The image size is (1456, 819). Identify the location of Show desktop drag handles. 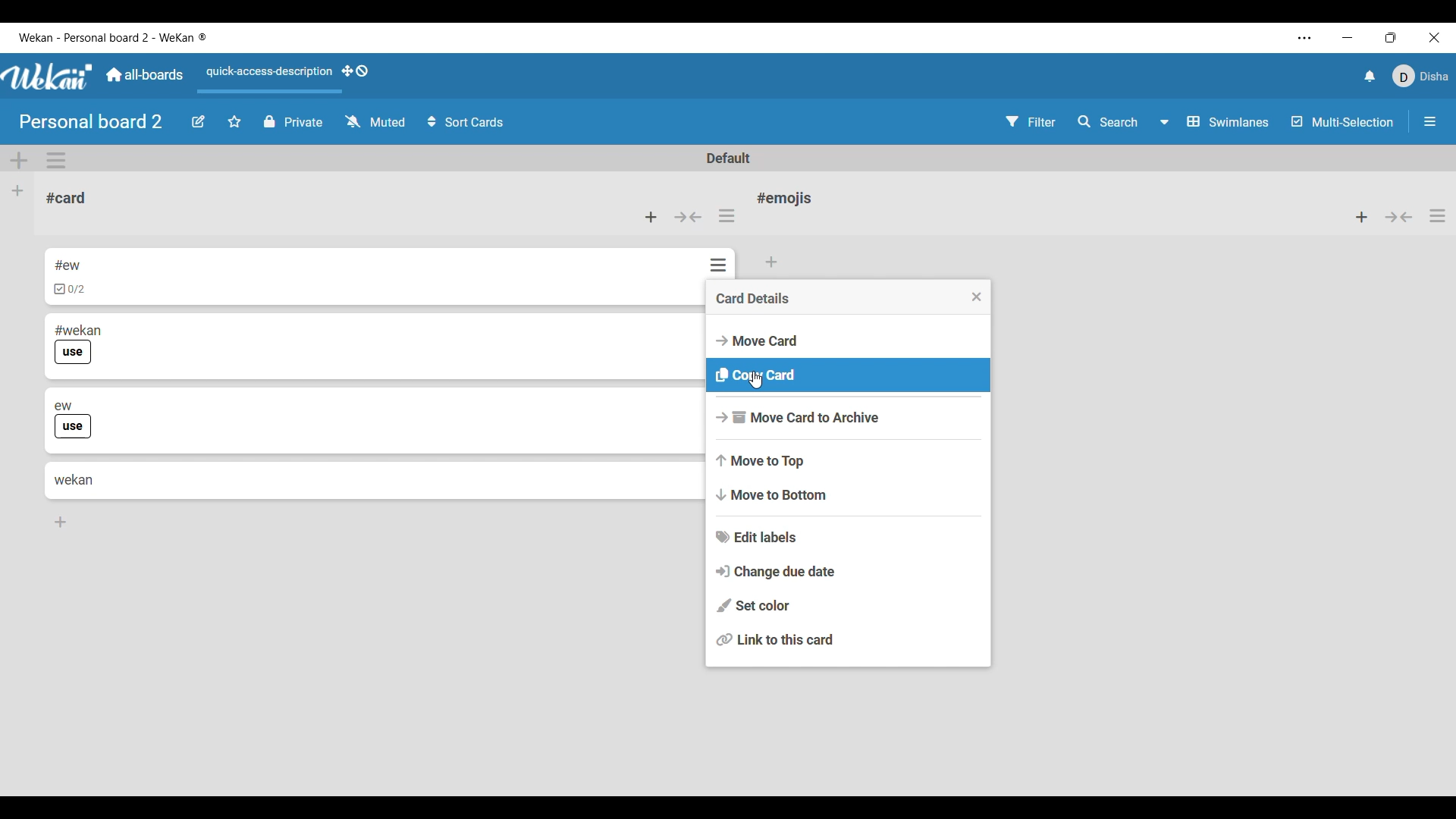
(355, 71).